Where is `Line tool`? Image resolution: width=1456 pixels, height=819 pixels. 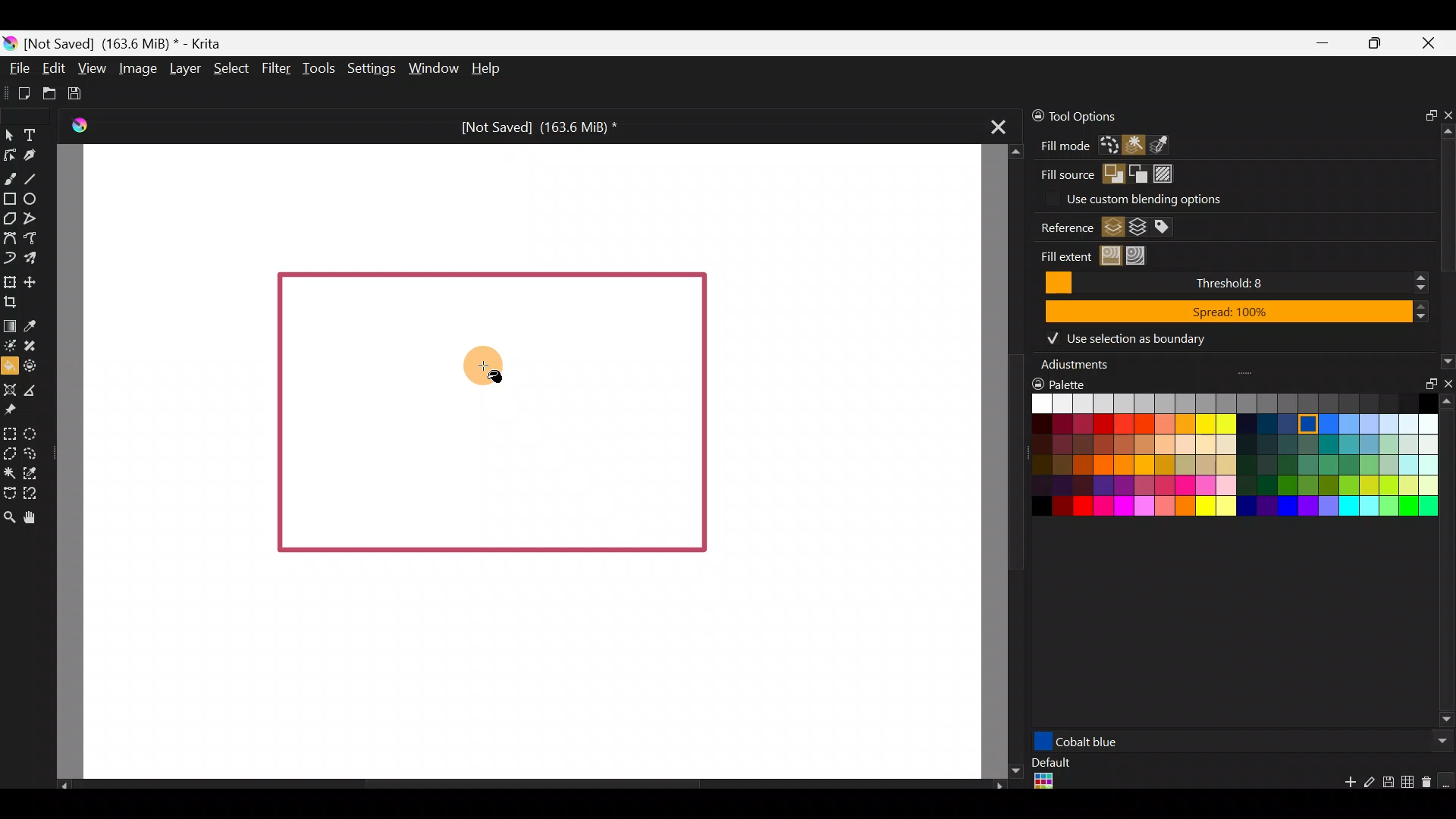
Line tool is located at coordinates (36, 174).